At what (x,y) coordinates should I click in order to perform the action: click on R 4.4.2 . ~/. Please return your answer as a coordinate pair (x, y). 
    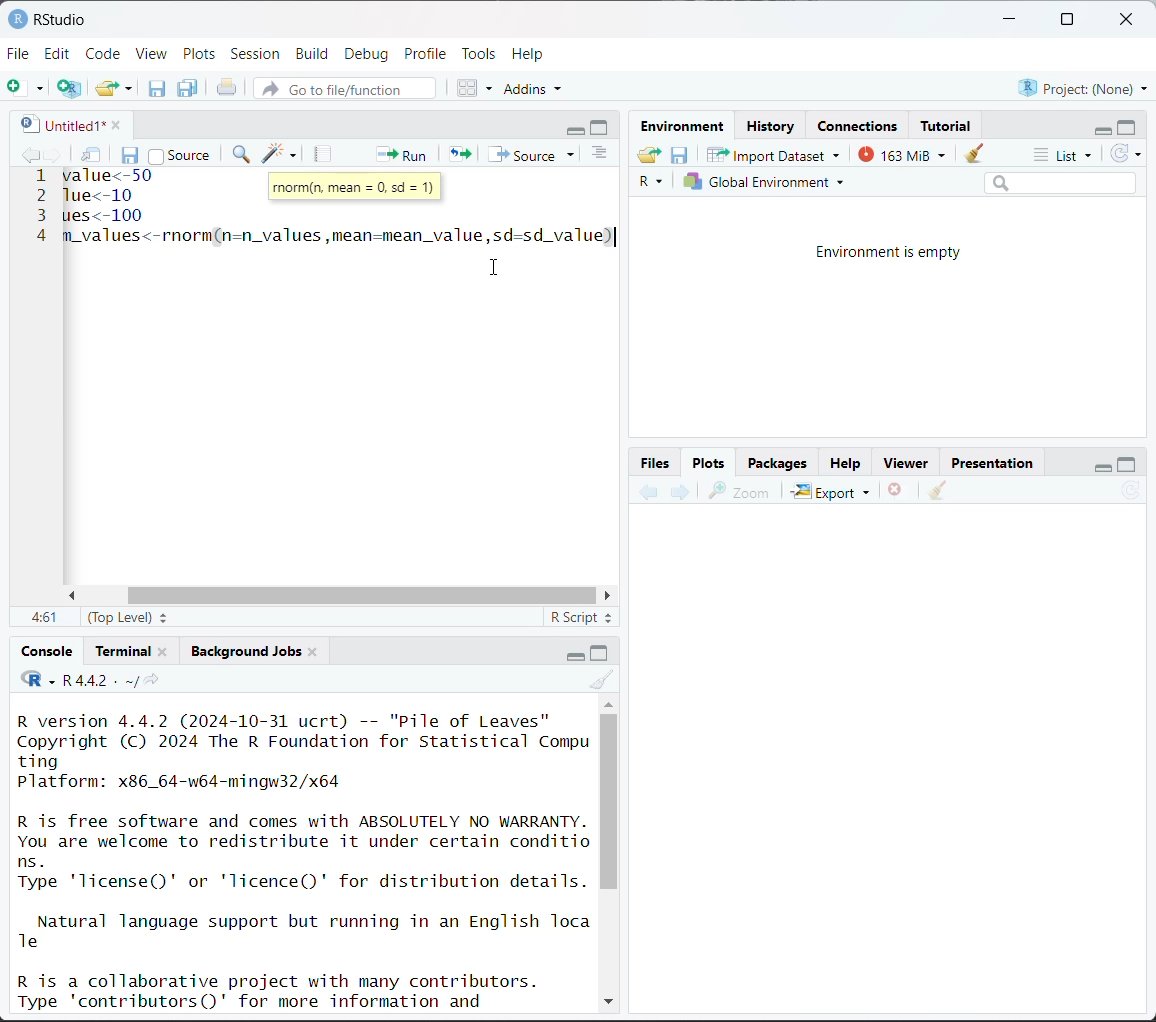
    Looking at the image, I should click on (99, 680).